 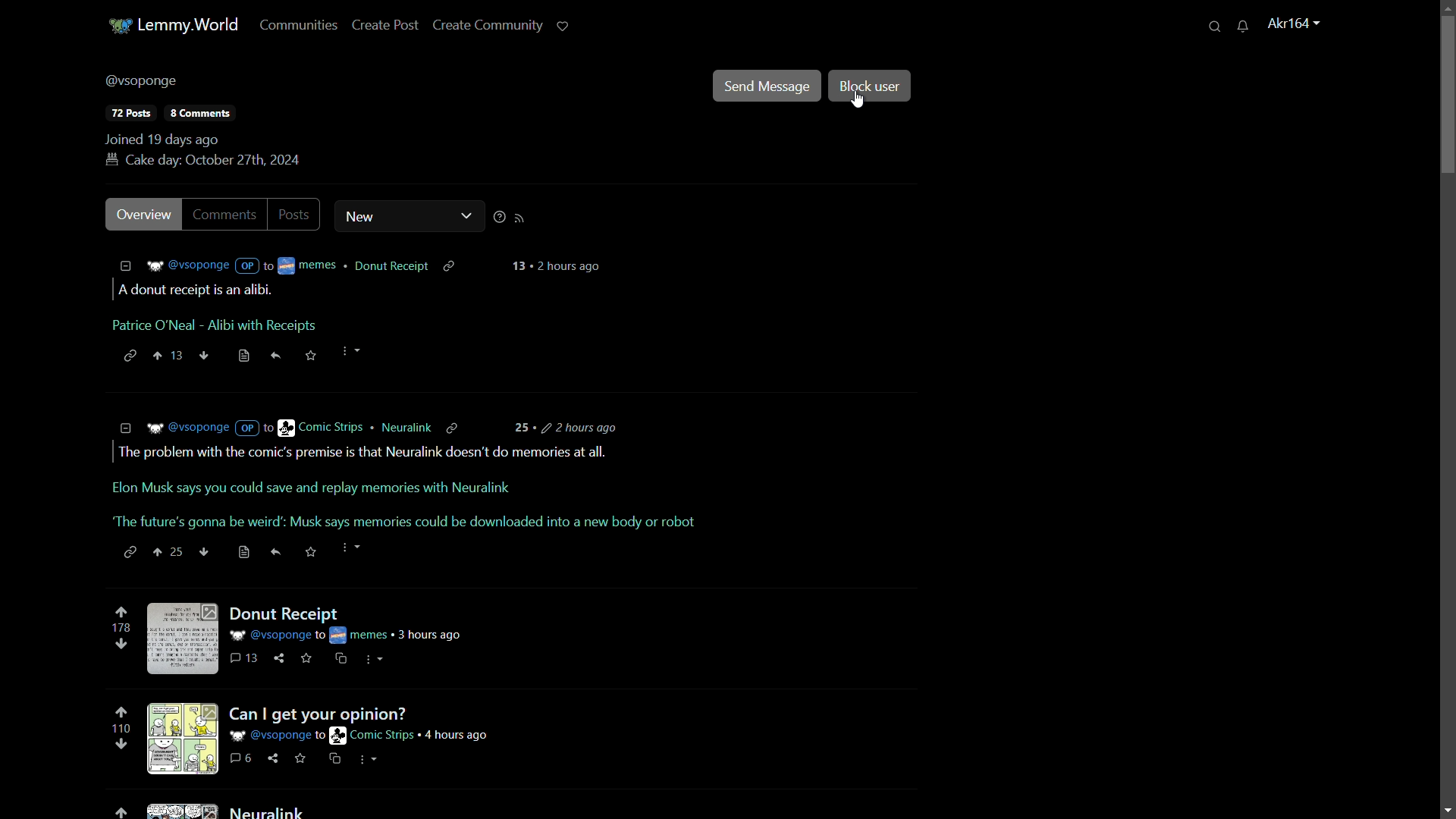 I want to click on send message, so click(x=767, y=87).